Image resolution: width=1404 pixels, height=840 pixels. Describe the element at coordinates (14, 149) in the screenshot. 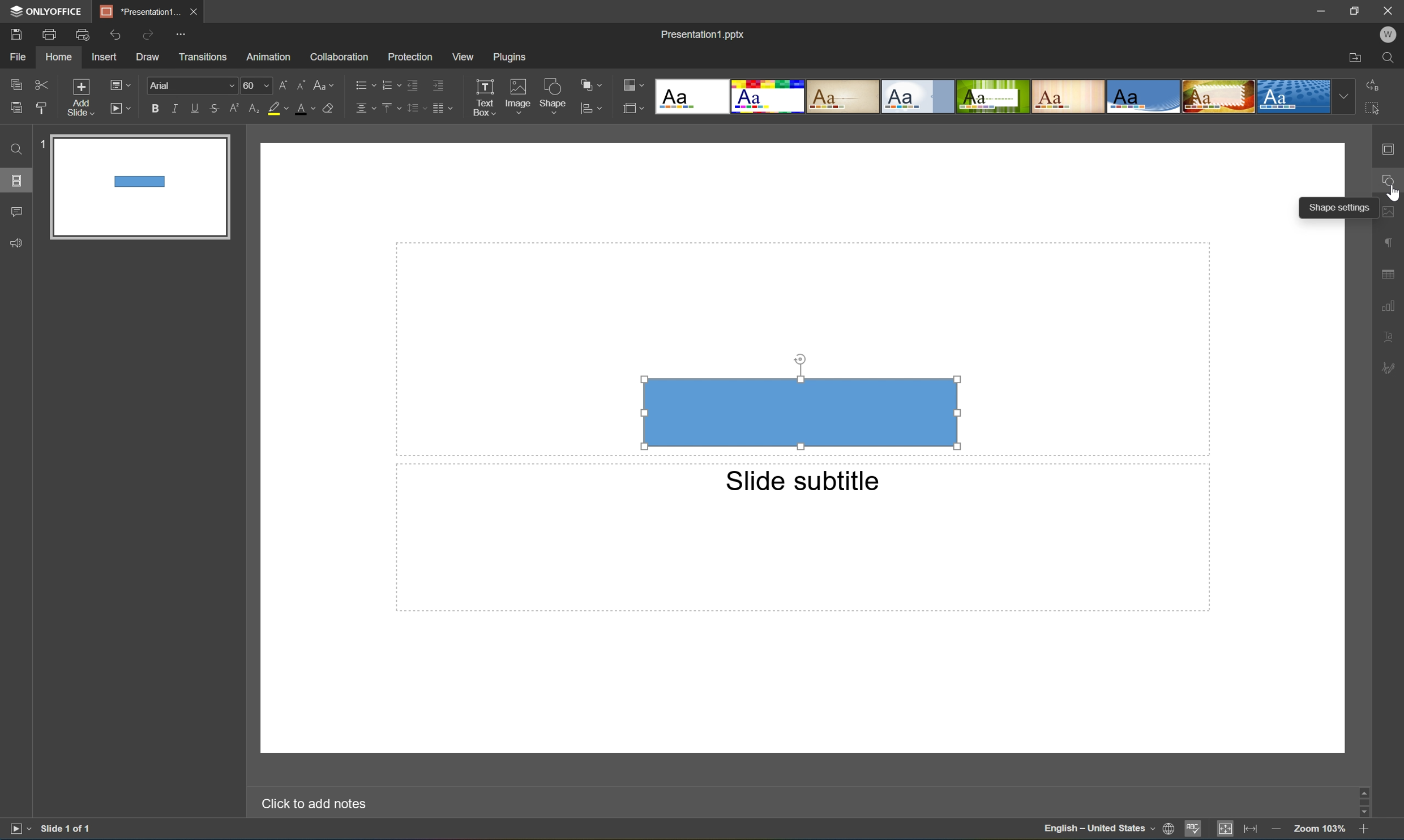

I see `Find` at that location.